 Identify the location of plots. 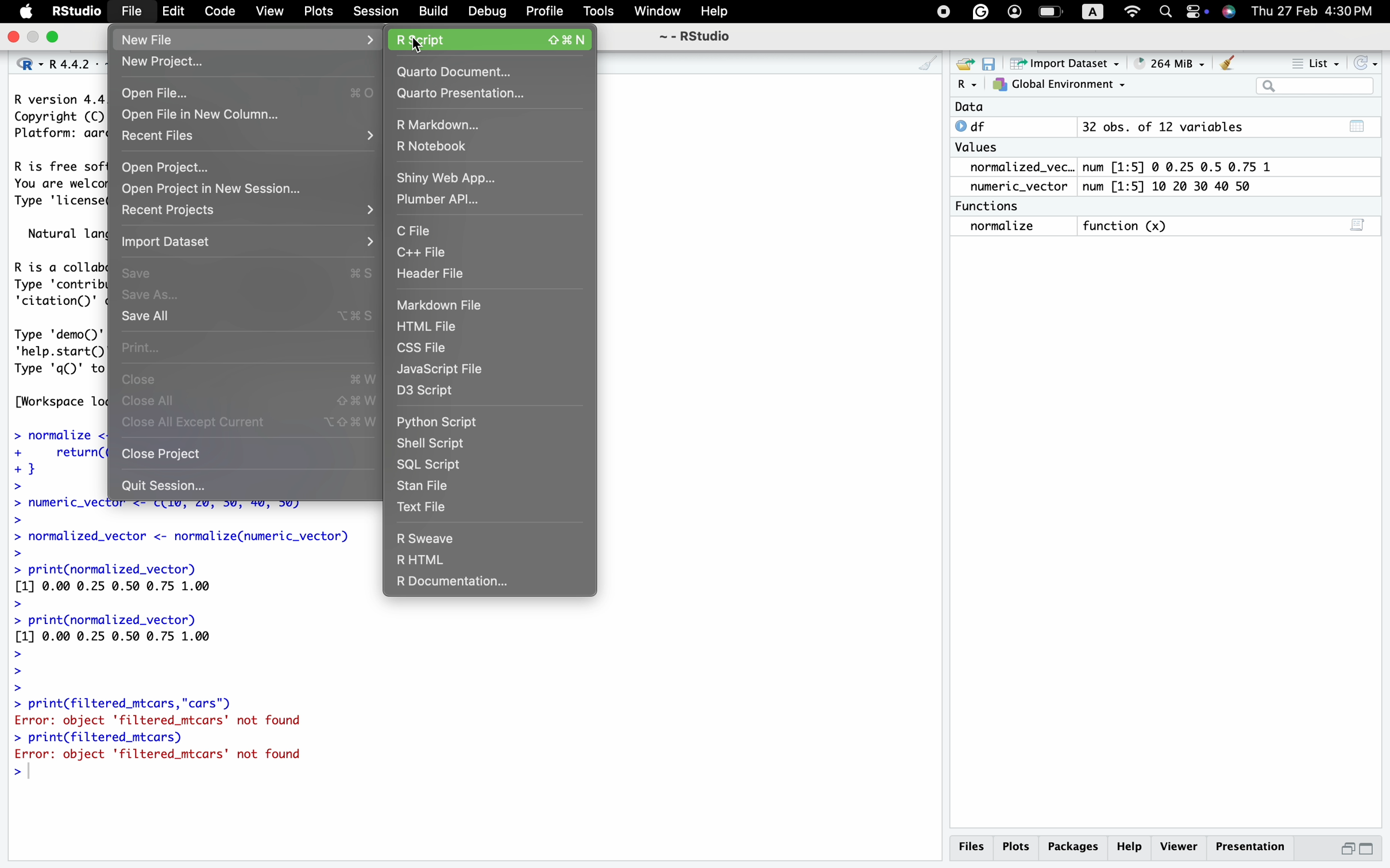
(1016, 847).